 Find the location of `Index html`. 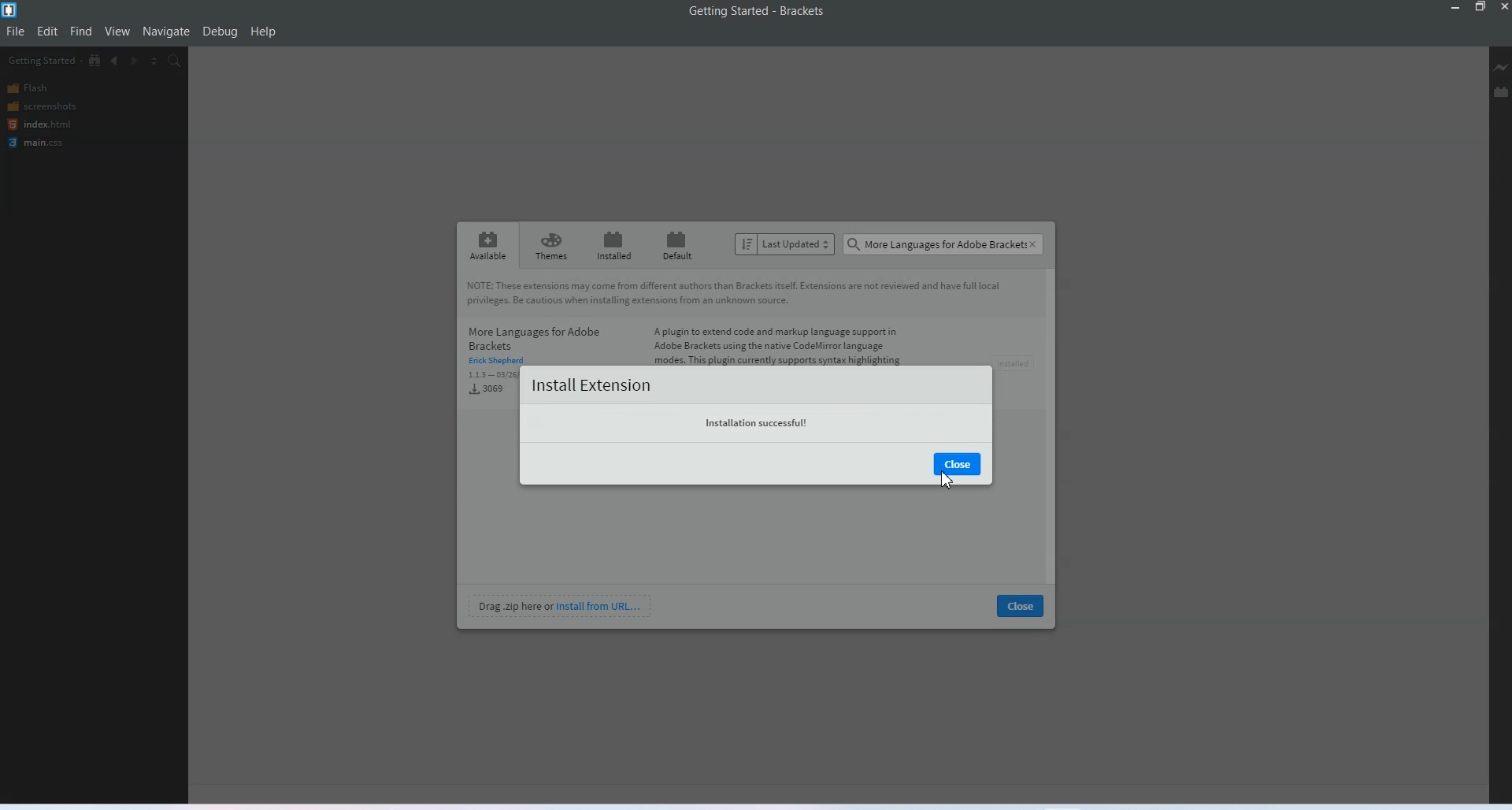

Index html is located at coordinates (54, 125).